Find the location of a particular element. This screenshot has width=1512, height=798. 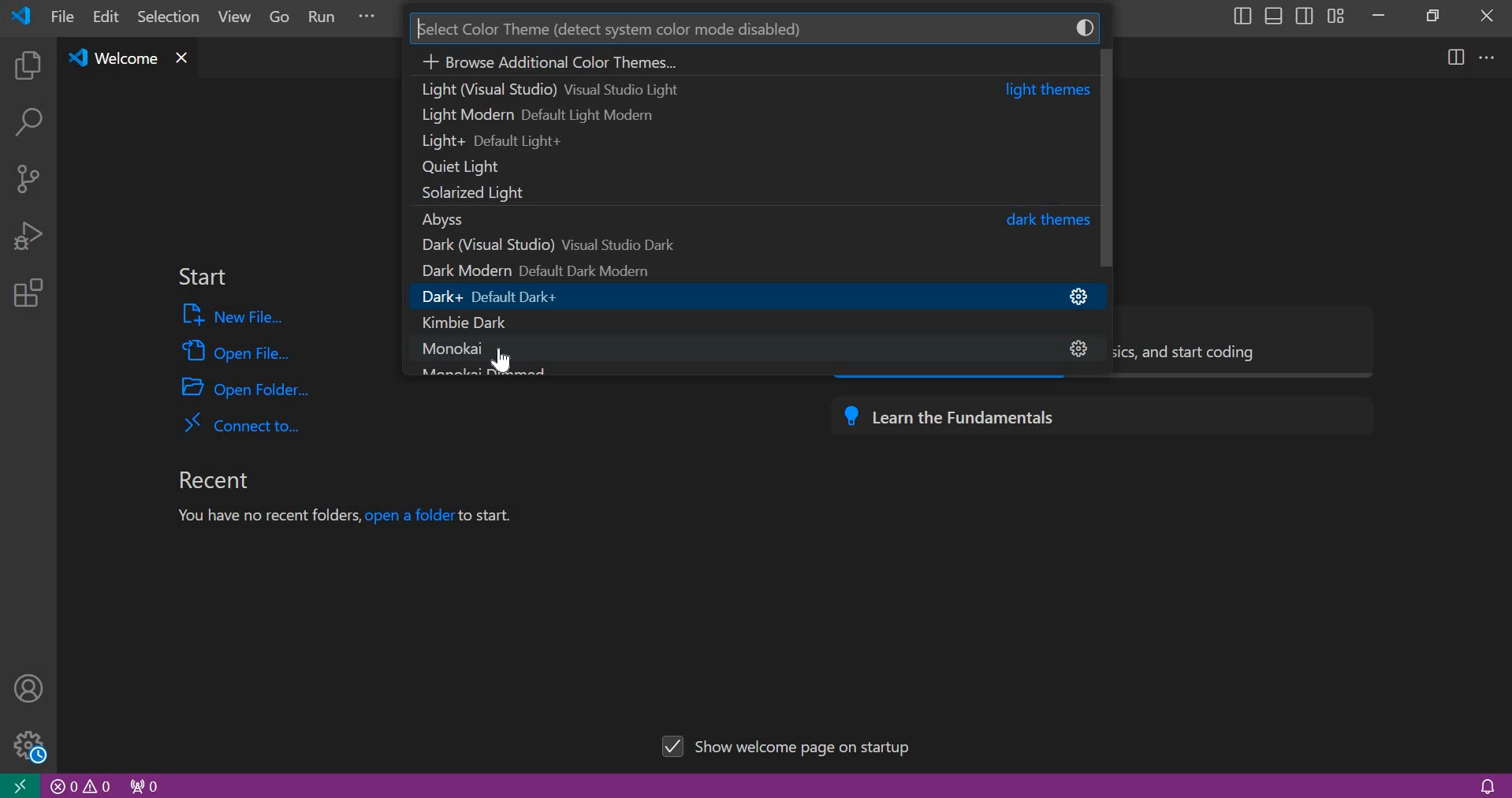

split editor right is located at coordinates (1457, 57).